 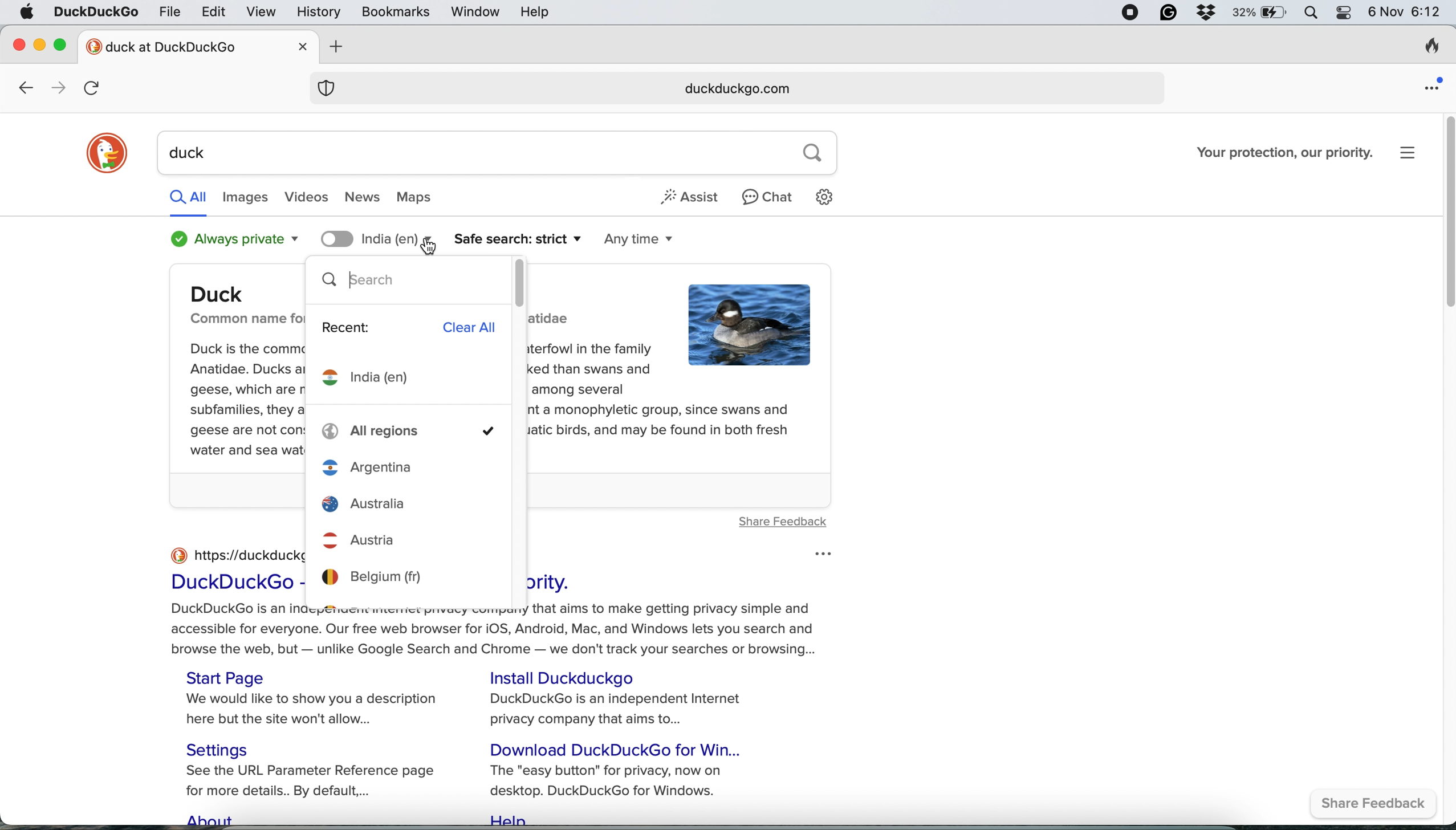 What do you see at coordinates (619, 710) in the screenshot?
I see `DuckDuckGo is an independent Internet
privacy company that aims to...` at bounding box center [619, 710].